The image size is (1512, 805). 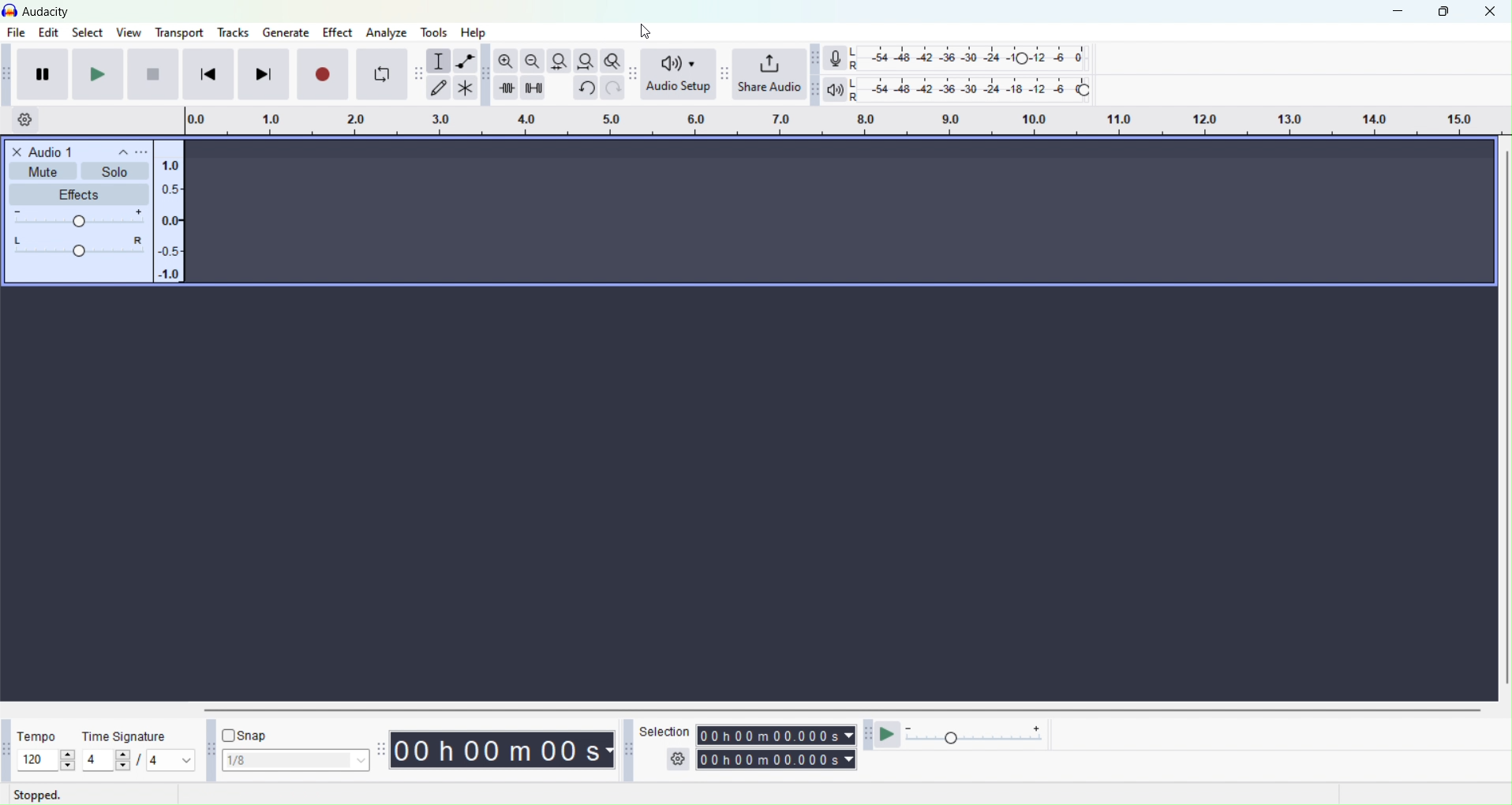 What do you see at coordinates (38, 737) in the screenshot?
I see `Tempo` at bounding box center [38, 737].